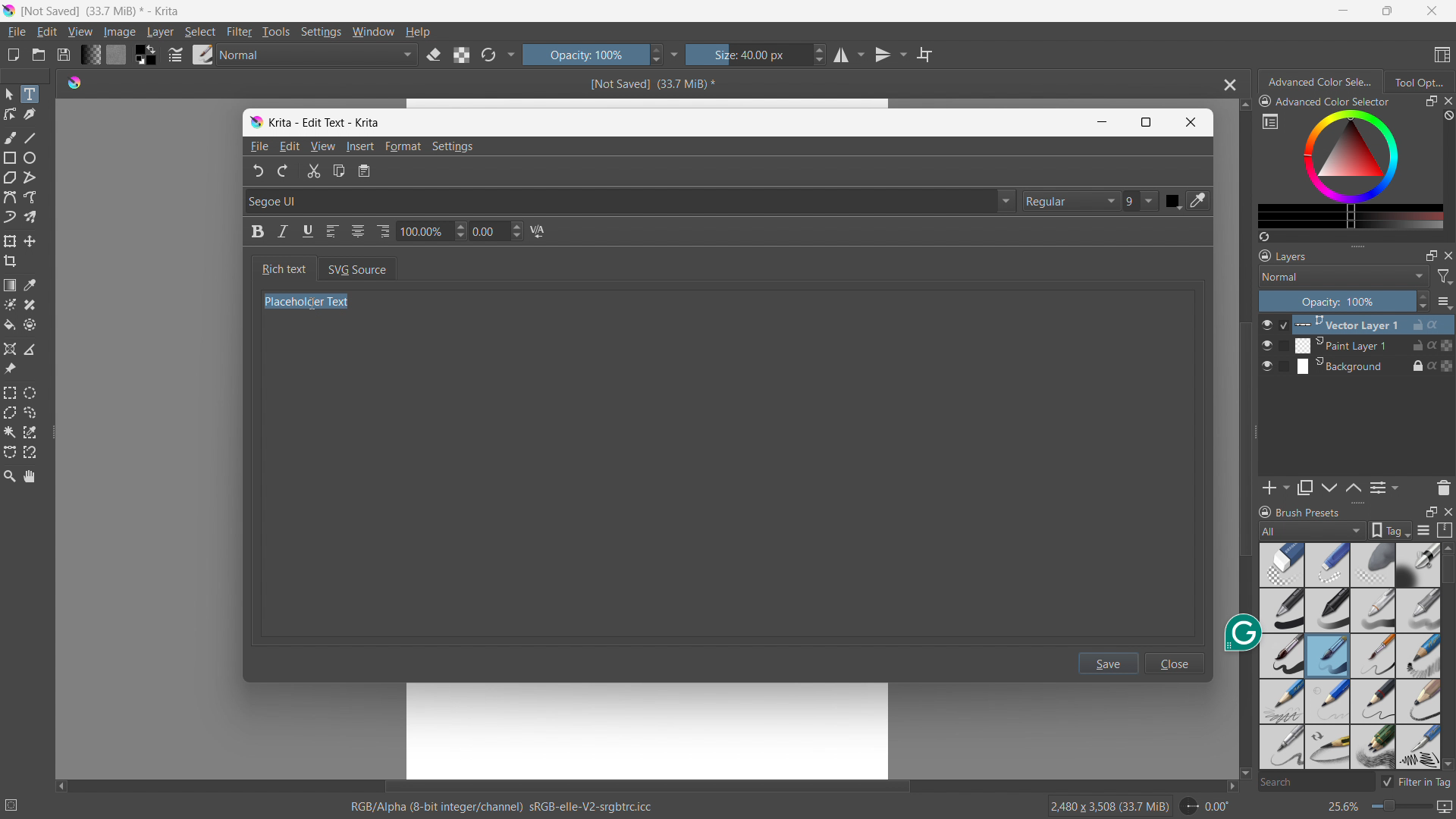  I want to click on crop the image to an area, so click(11, 261).